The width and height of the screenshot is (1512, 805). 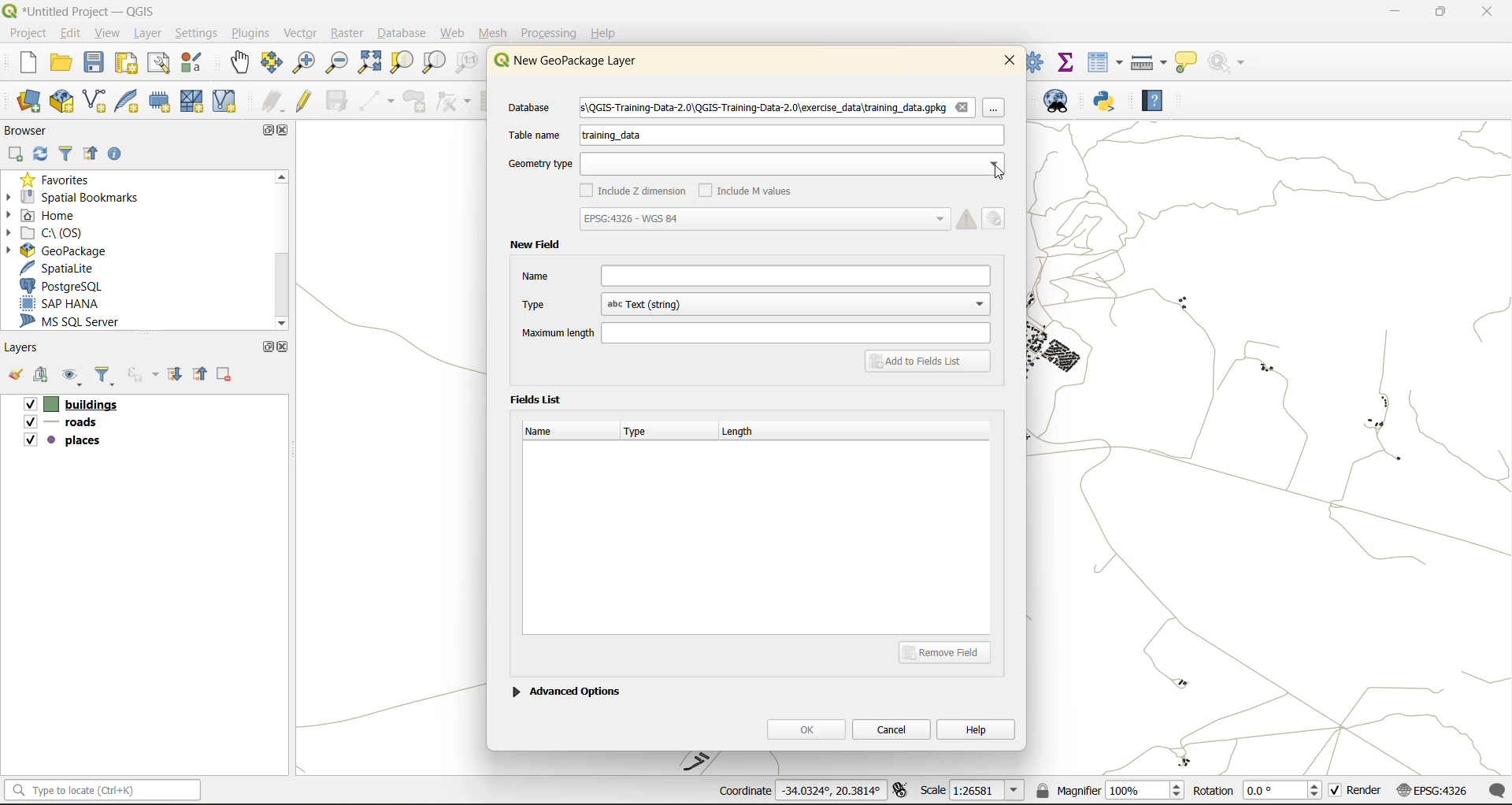 What do you see at coordinates (69, 406) in the screenshot?
I see `buildings` at bounding box center [69, 406].